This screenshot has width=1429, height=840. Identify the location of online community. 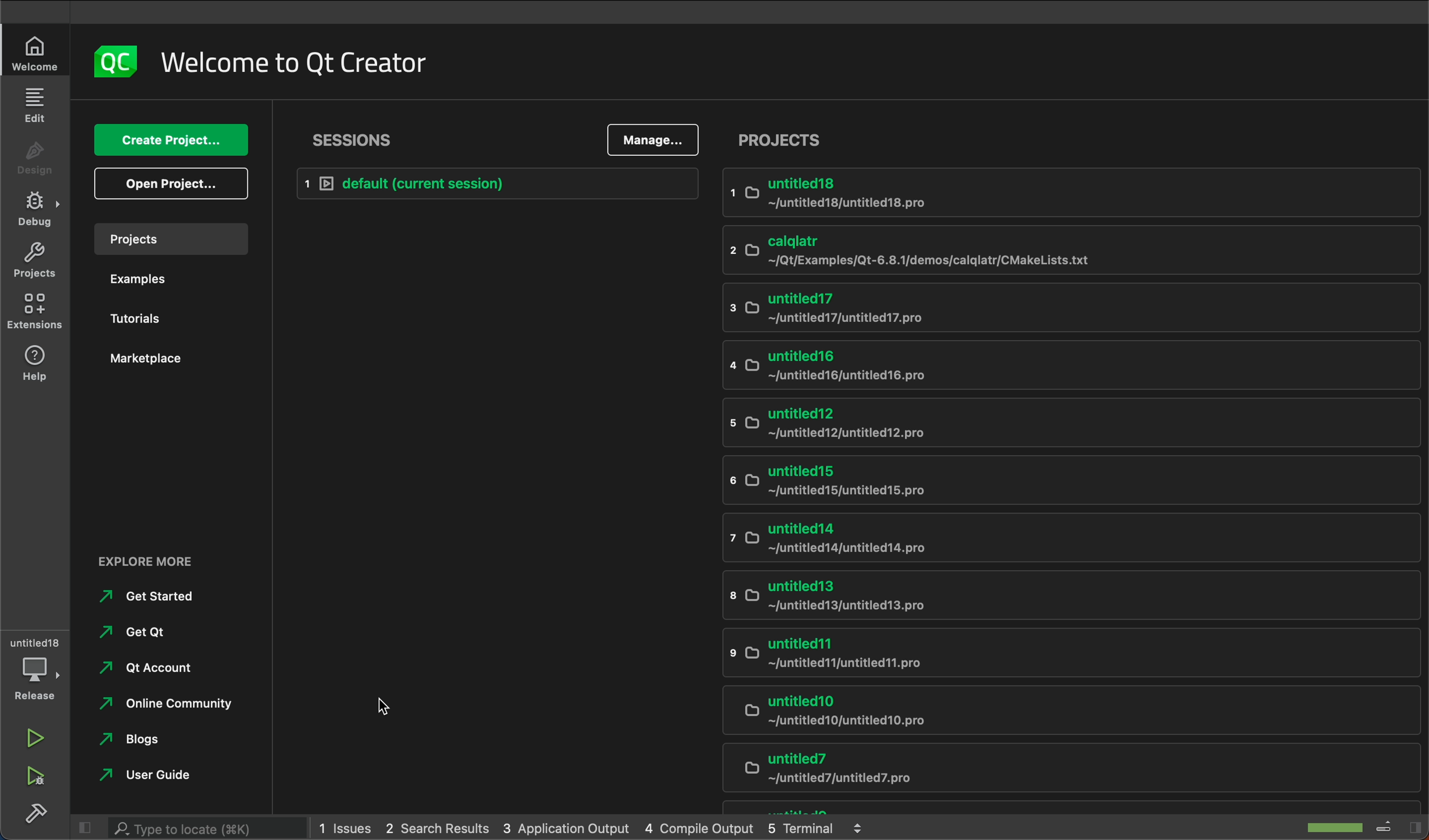
(166, 703).